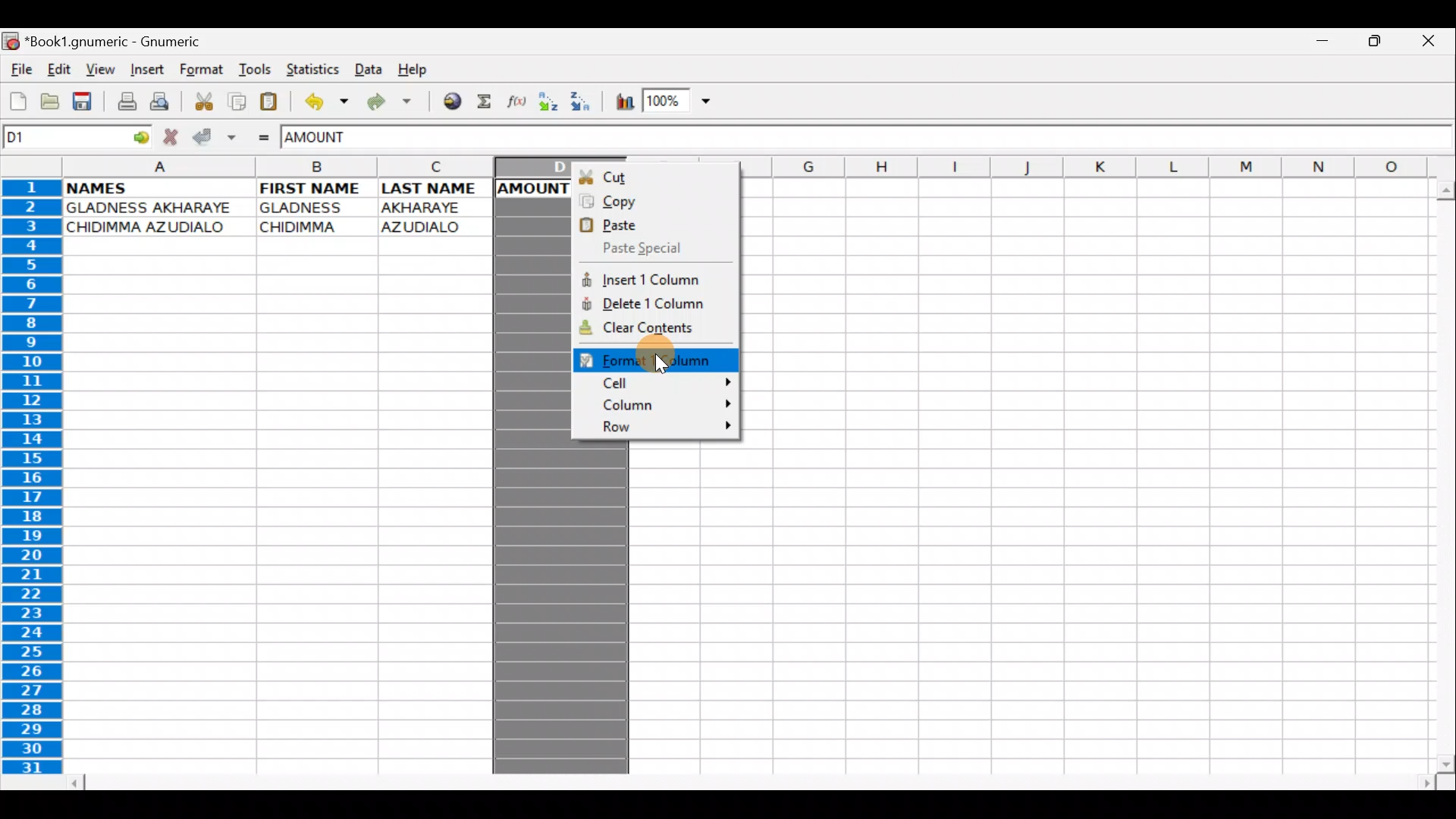  I want to click on Enter formula, so click(264, 137).